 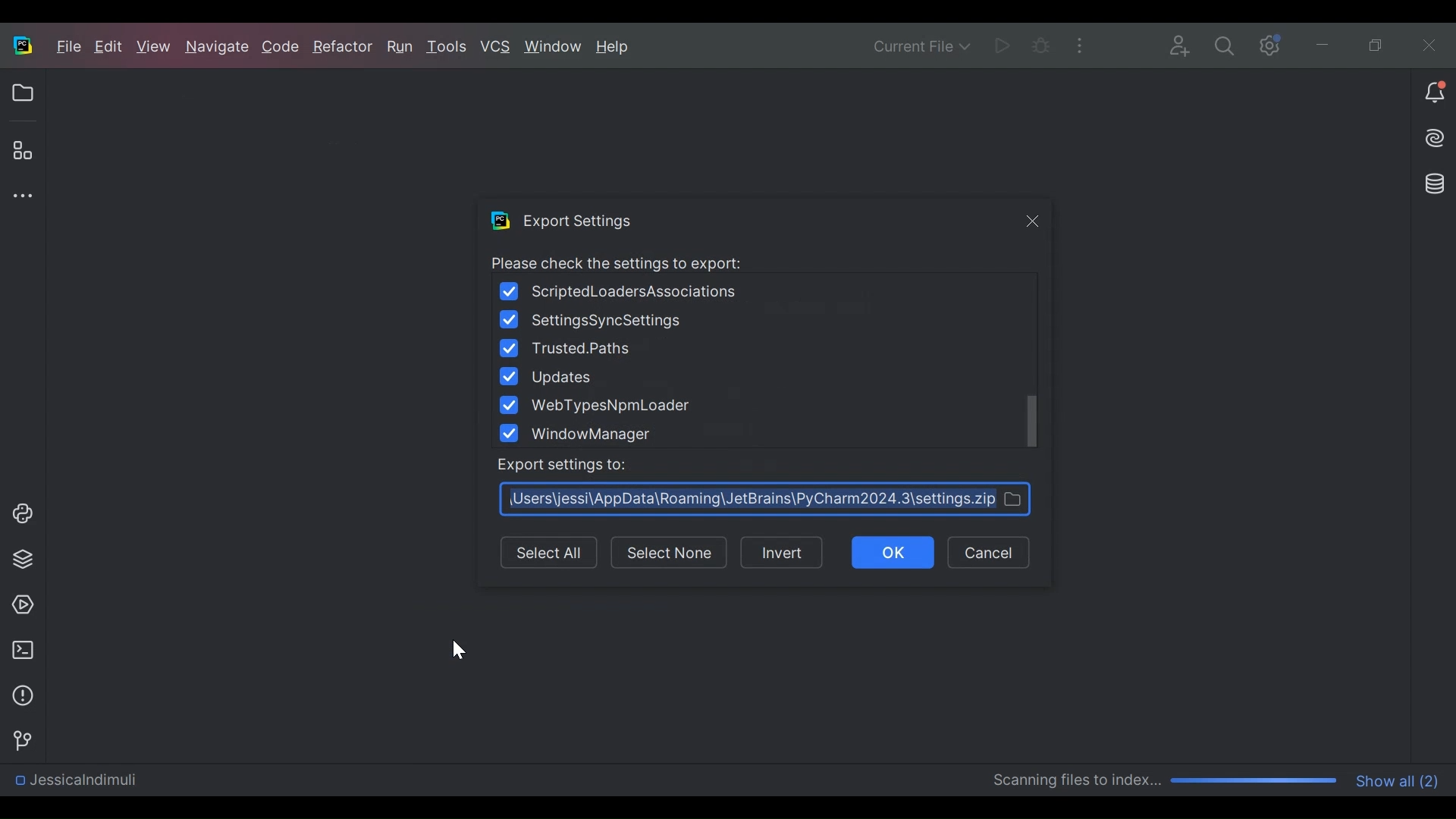 What do you see at coordinates (342, 50) in the screenshot?
I see `Refractor` at bounding box center [342, 50].